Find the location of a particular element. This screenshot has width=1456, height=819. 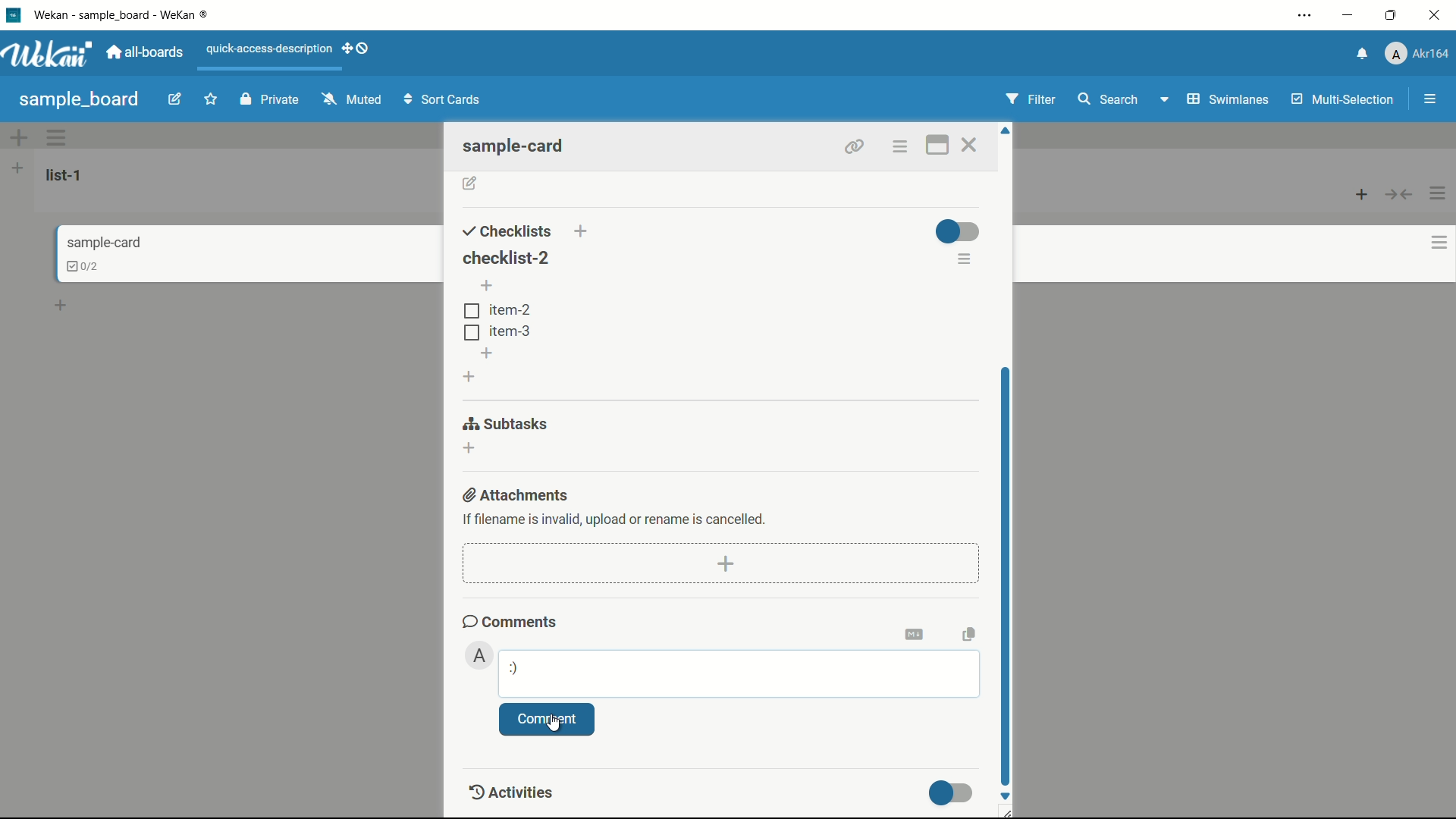

add list is located at coordinates (17, 168).